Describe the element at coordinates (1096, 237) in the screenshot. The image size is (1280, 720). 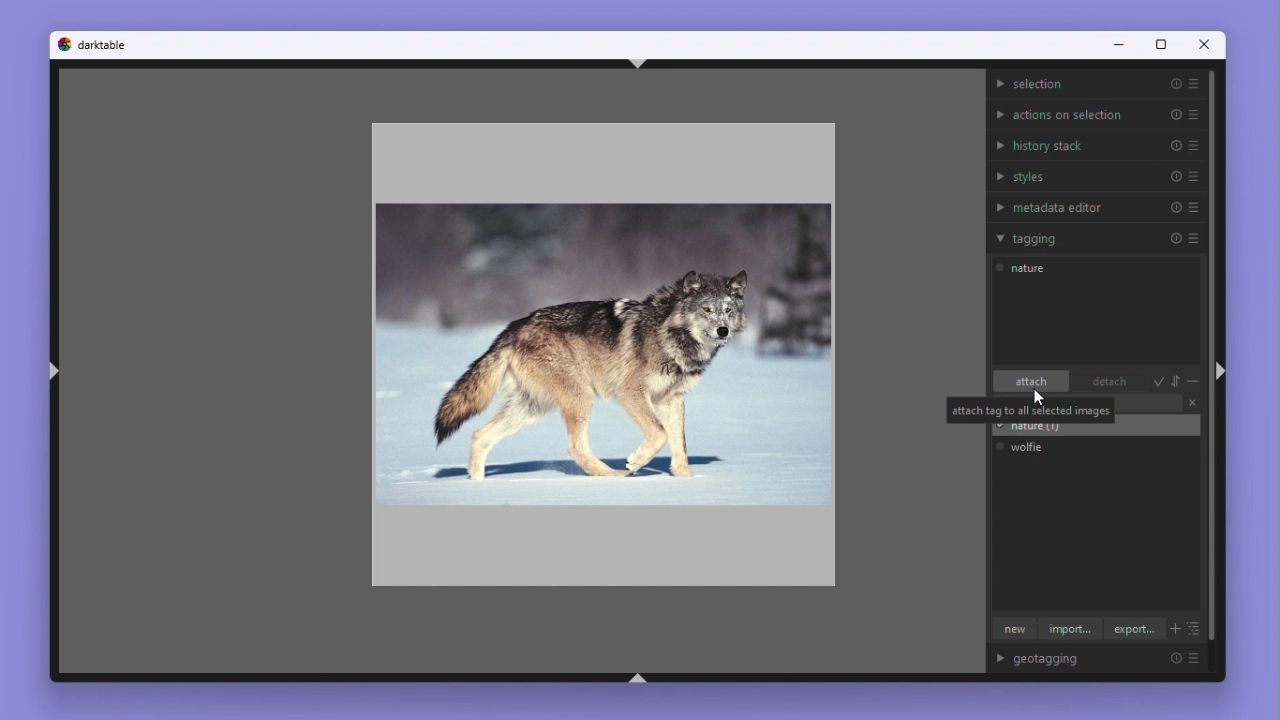
I see `Tagging` at that location.